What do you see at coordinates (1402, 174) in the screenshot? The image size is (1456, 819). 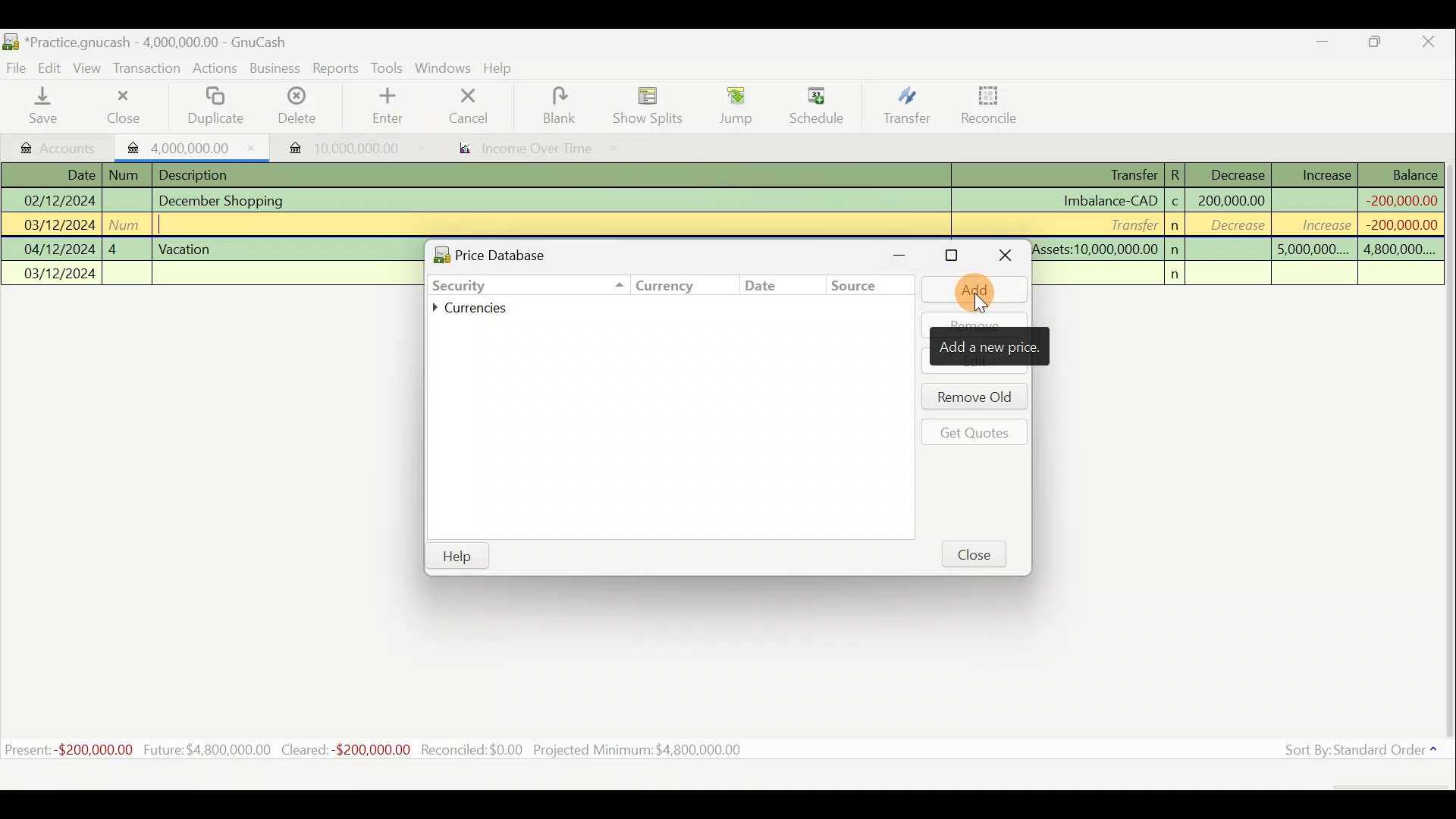 I see `Balance` at bounding box center [1402, 174].